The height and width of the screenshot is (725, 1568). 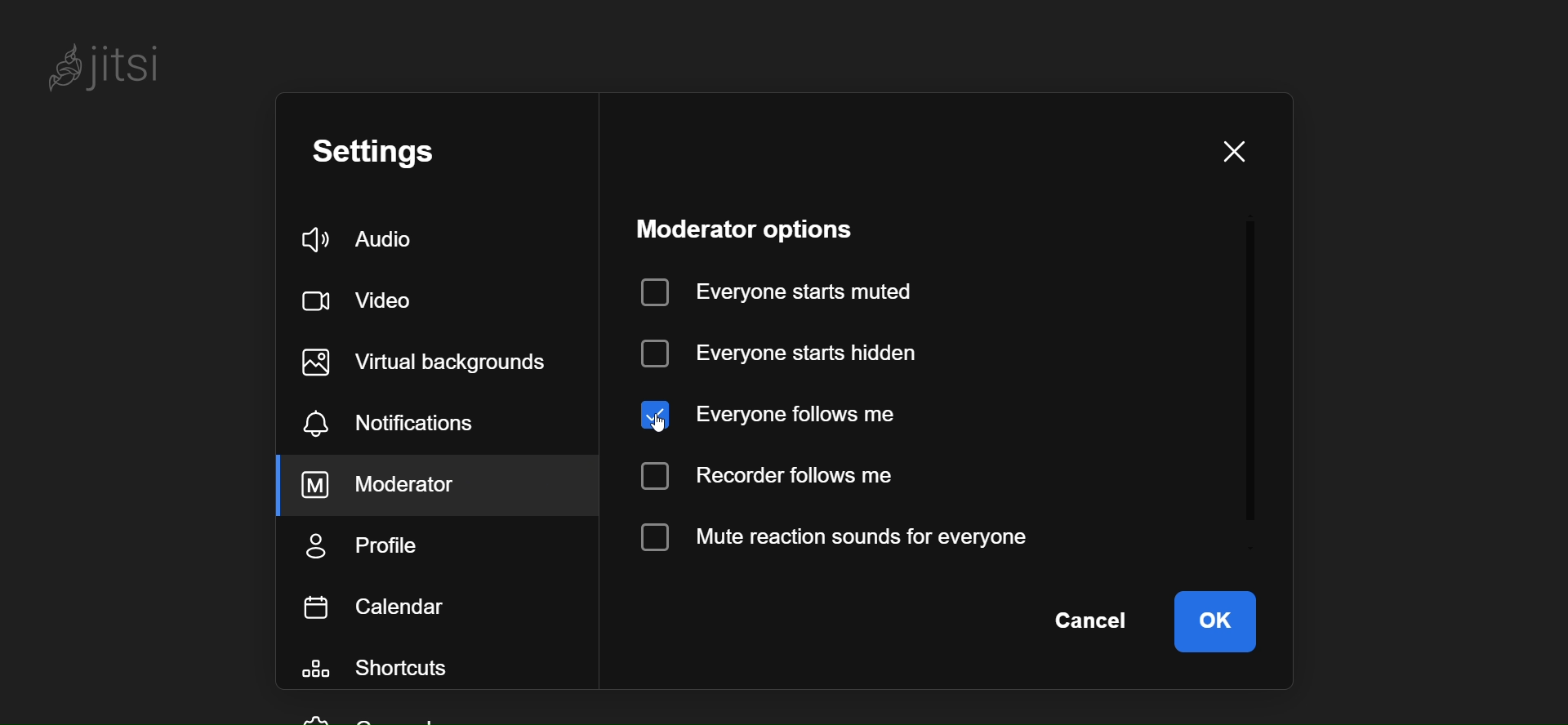 What do you see at coordinates (366, 241) in the screenshot?
I see `audio` at bounding box center [366, 241].